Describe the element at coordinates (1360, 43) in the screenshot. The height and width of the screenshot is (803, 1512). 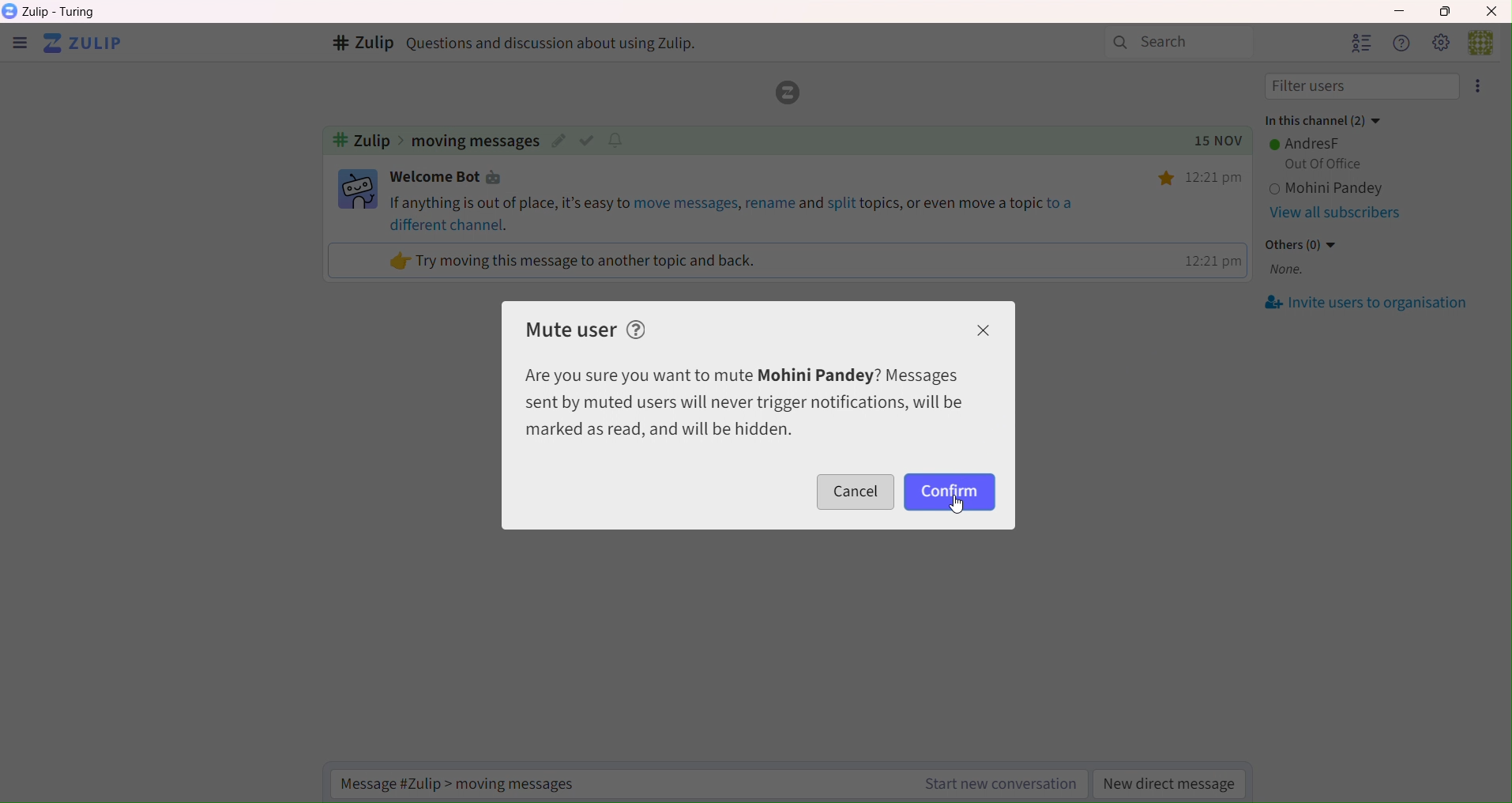
I see `Users` at that location.